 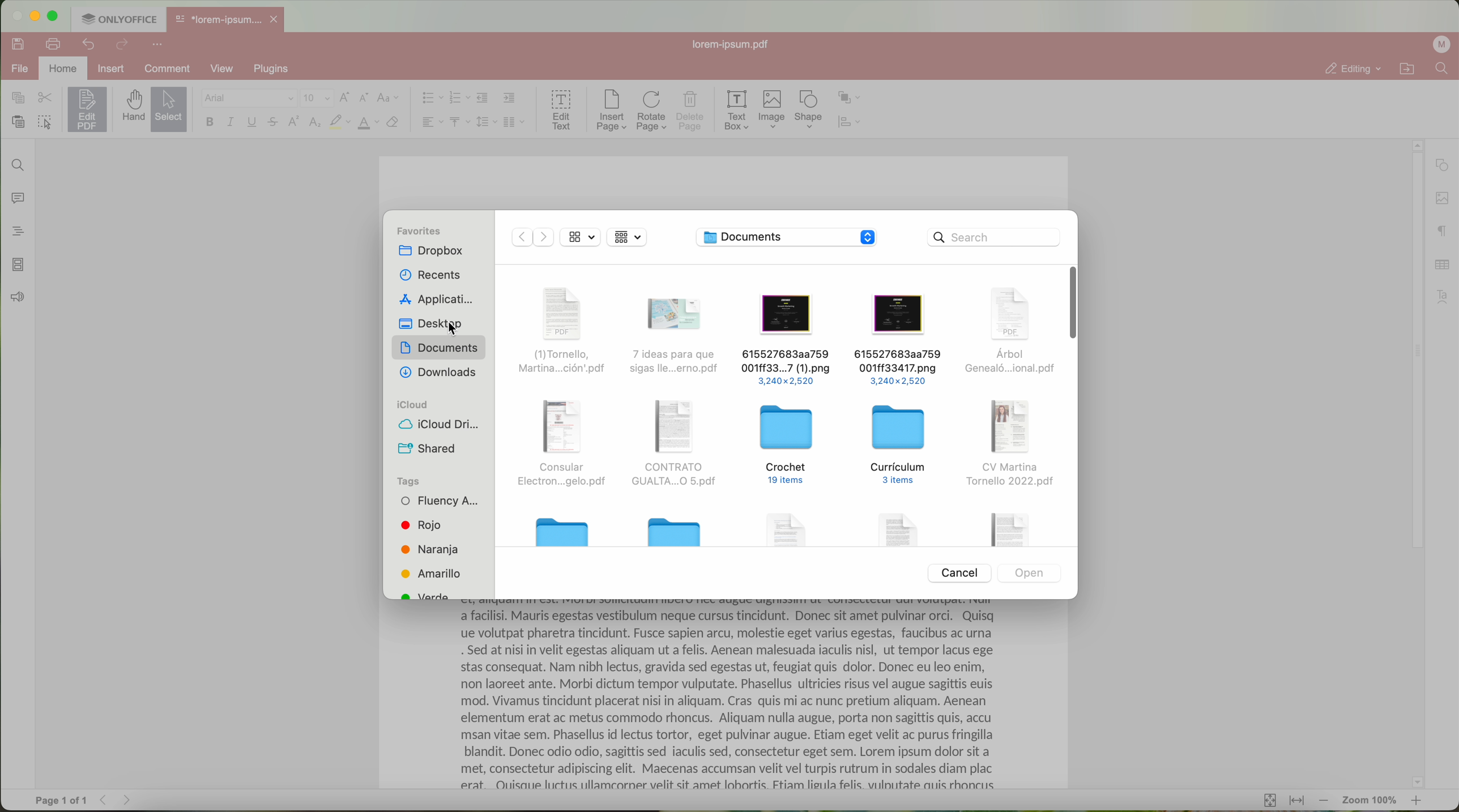 What do you see at coordinates (426, 593) in the screenshot?
I see `green` at bounding box center [426, 593].